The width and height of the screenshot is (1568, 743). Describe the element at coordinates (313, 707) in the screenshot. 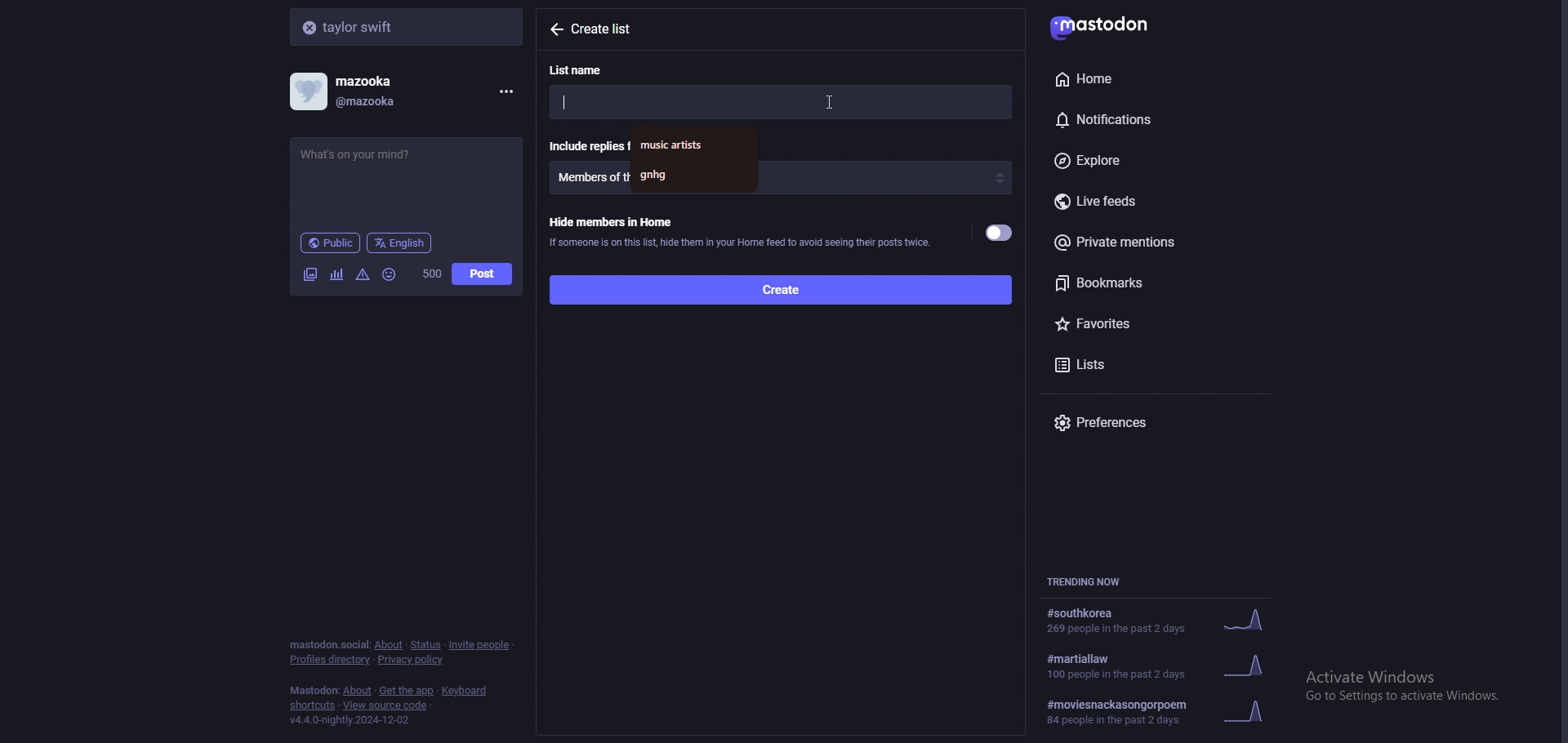

I see `shortcuts` at that location.